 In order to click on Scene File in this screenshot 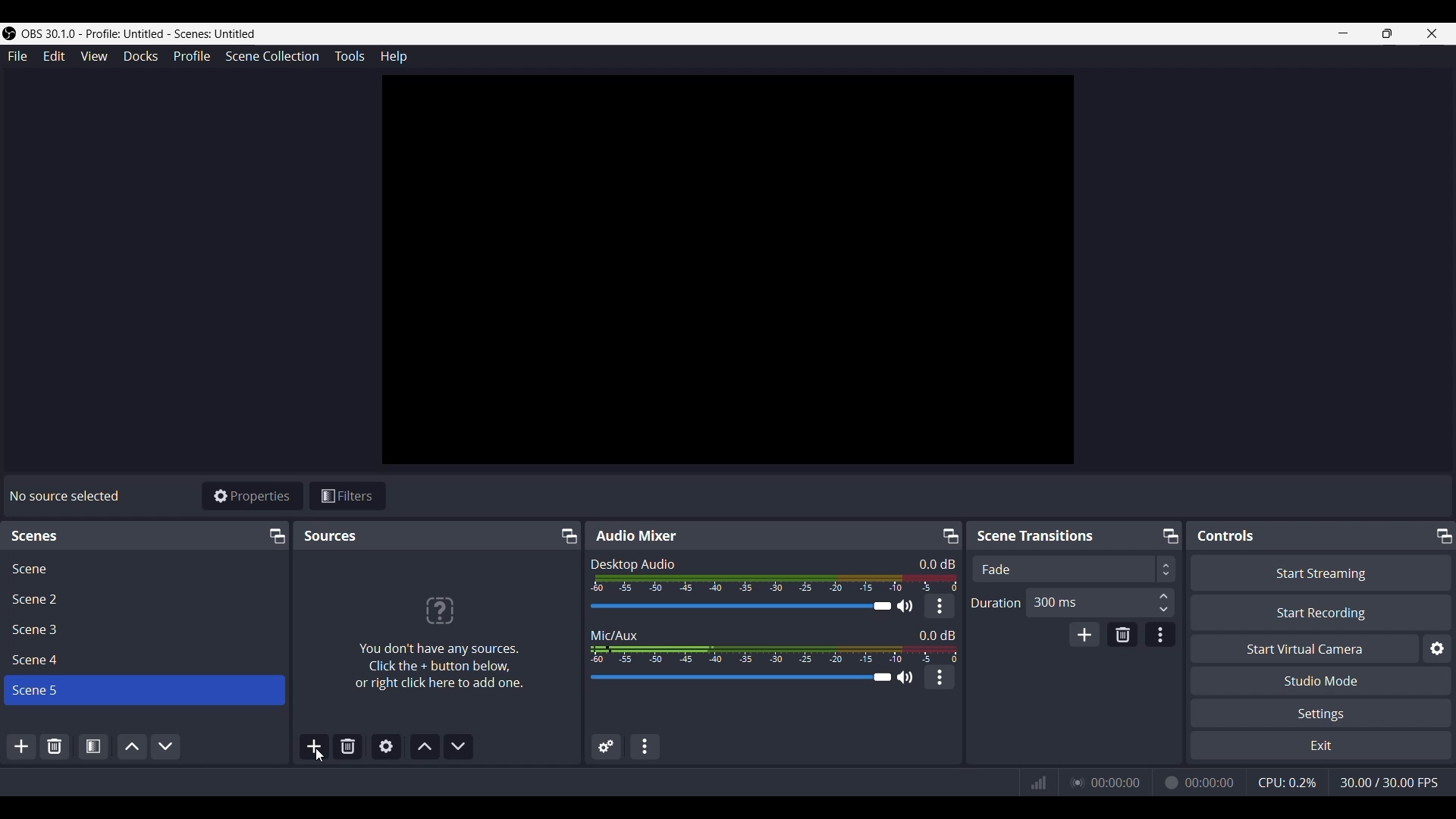, I will do `click(141, 660)`.